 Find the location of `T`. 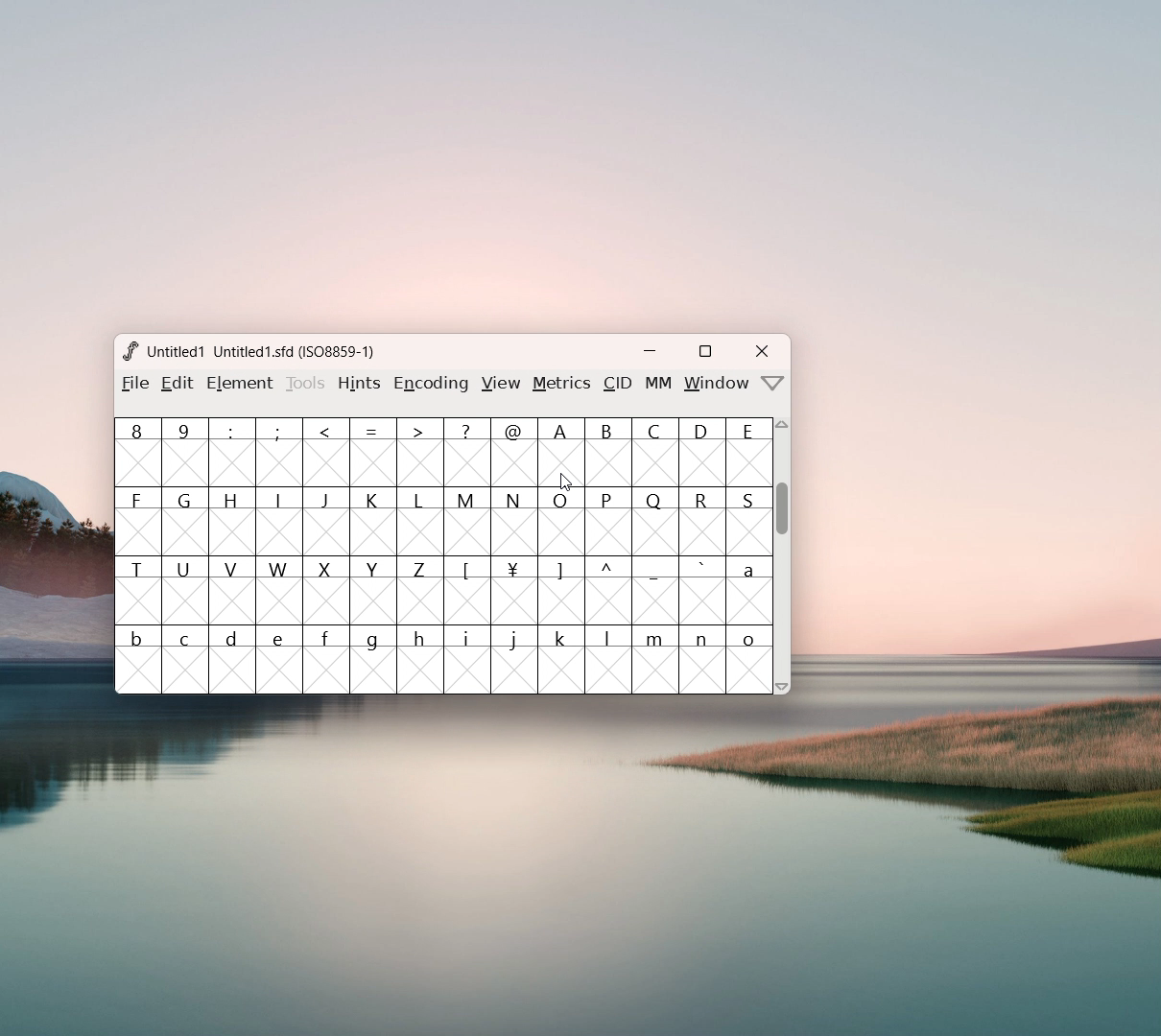

T is located at coordinates (138, 590).